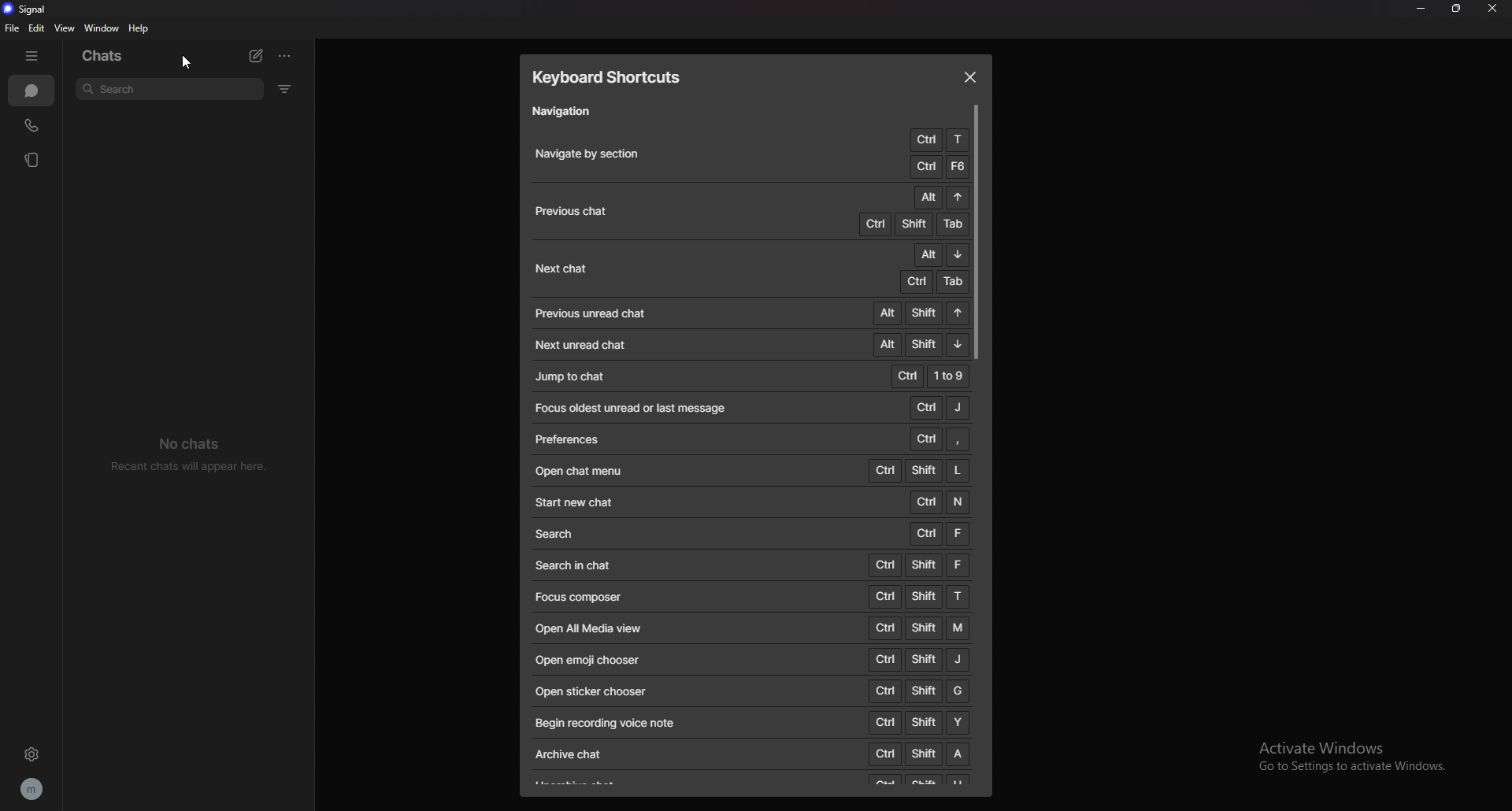 This screenshot has width=1512, height=811. What do you see at coordinates (588, 628) in the screenshot?
I see `open all media view` at bounding box center [588, 628].